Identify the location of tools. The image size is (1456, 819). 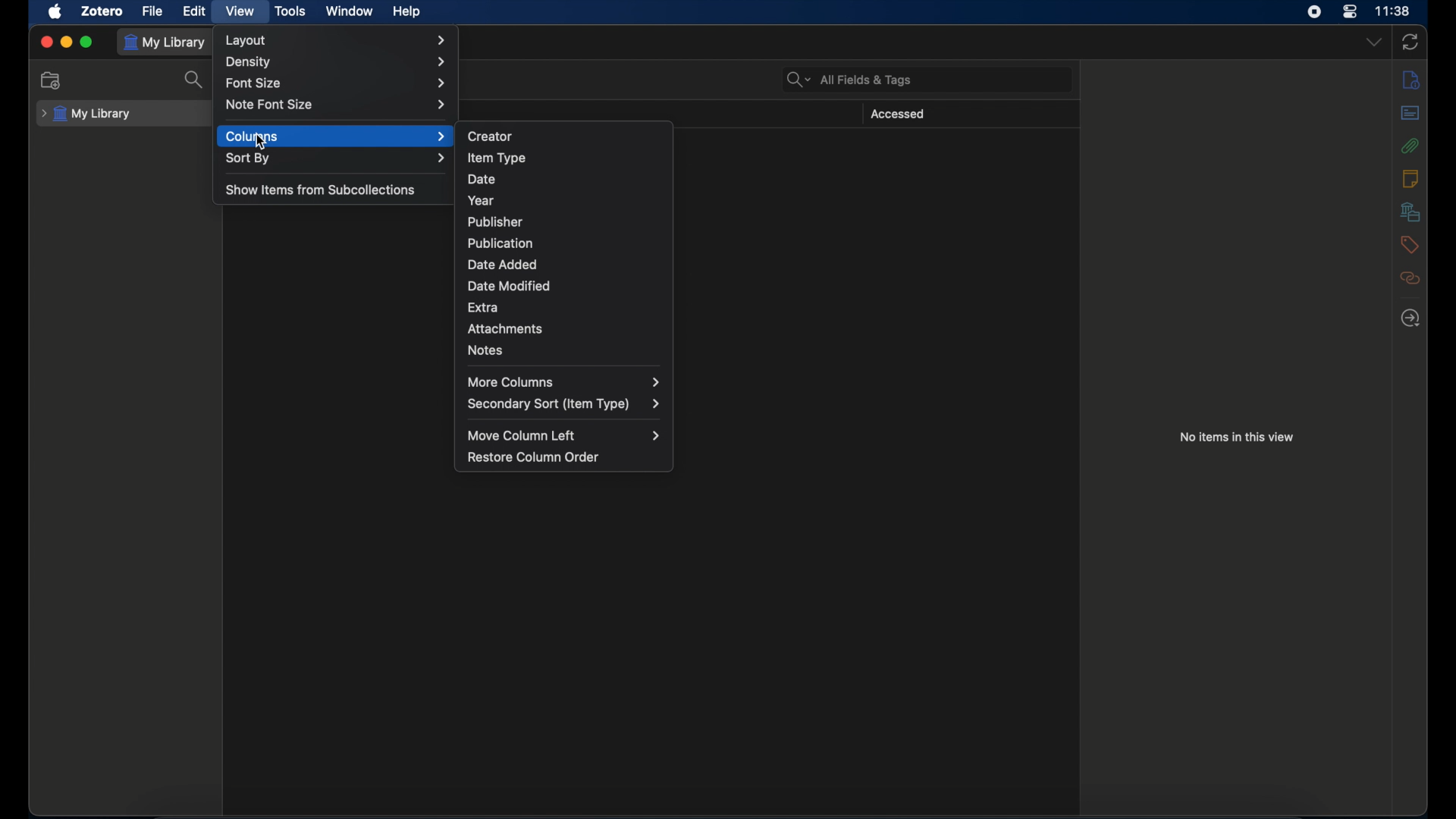
(290, 11).